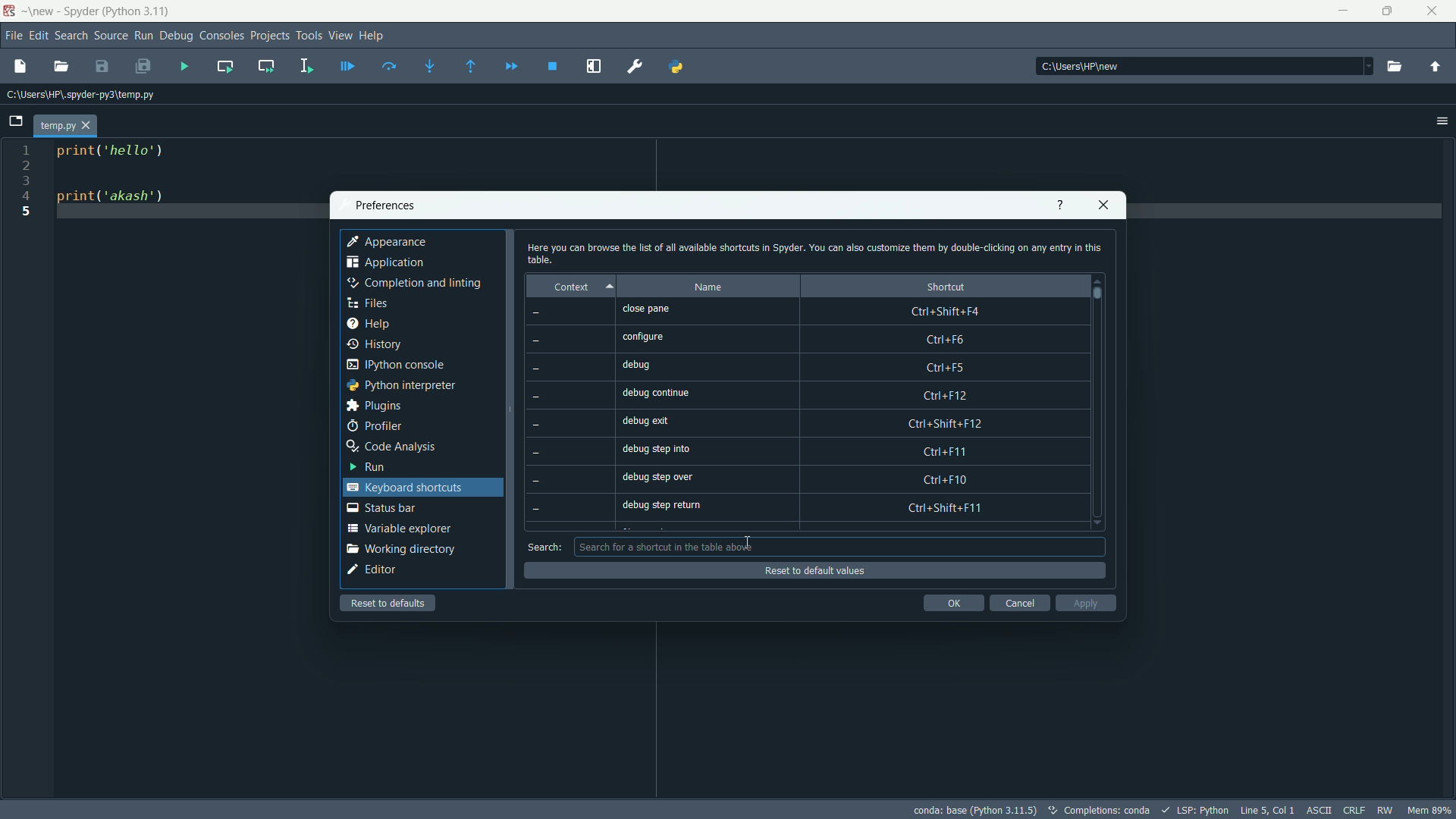 The image size is (1456, 819). I want to click on editor, so click(373, 571).